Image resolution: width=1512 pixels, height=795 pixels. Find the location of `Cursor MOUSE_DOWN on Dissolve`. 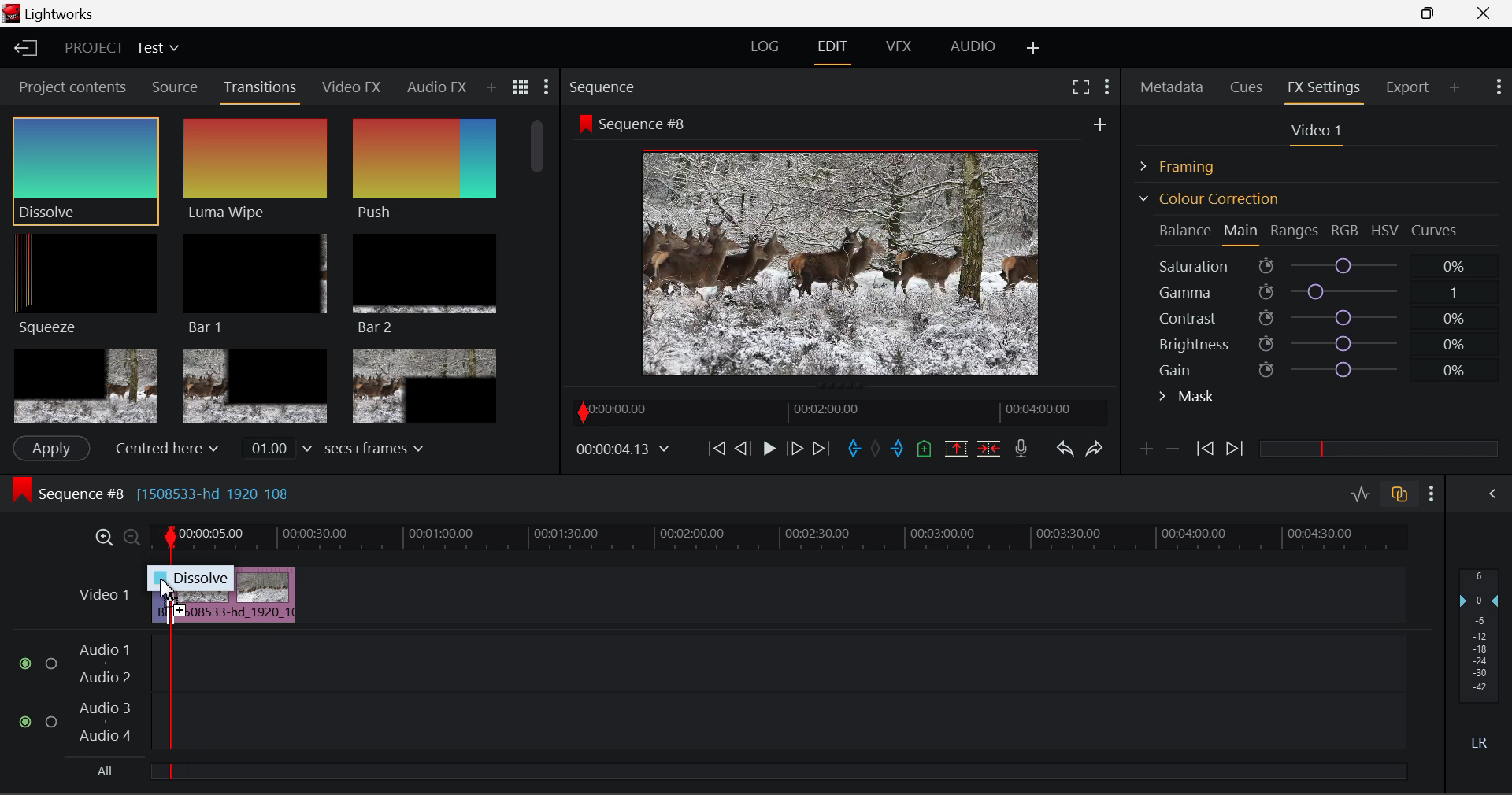

Cursor MOUSE_DOWN on Dissolve is located at coordinates (85, 170).